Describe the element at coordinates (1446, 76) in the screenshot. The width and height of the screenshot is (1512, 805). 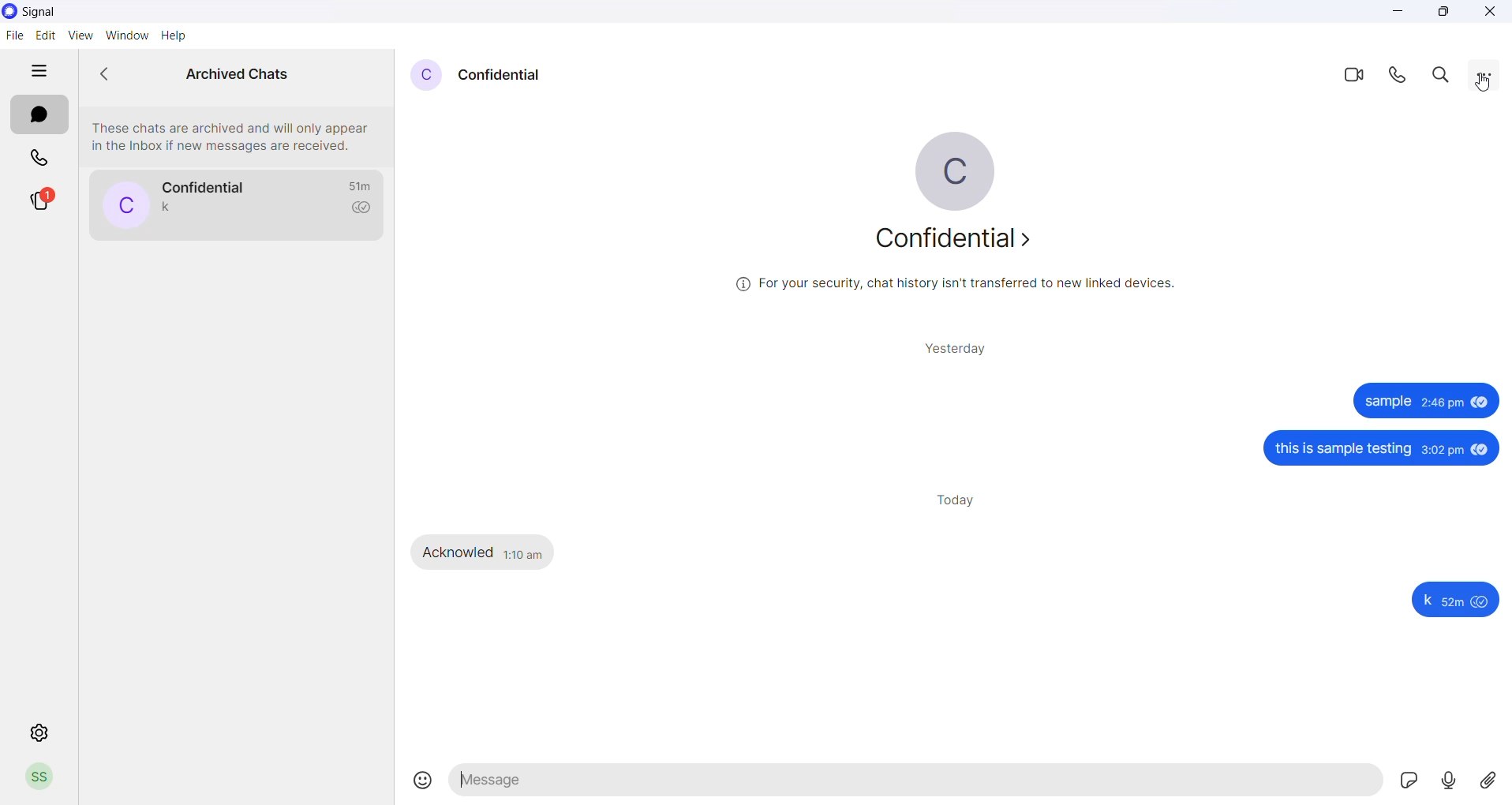
I see `search in chat` at that location.